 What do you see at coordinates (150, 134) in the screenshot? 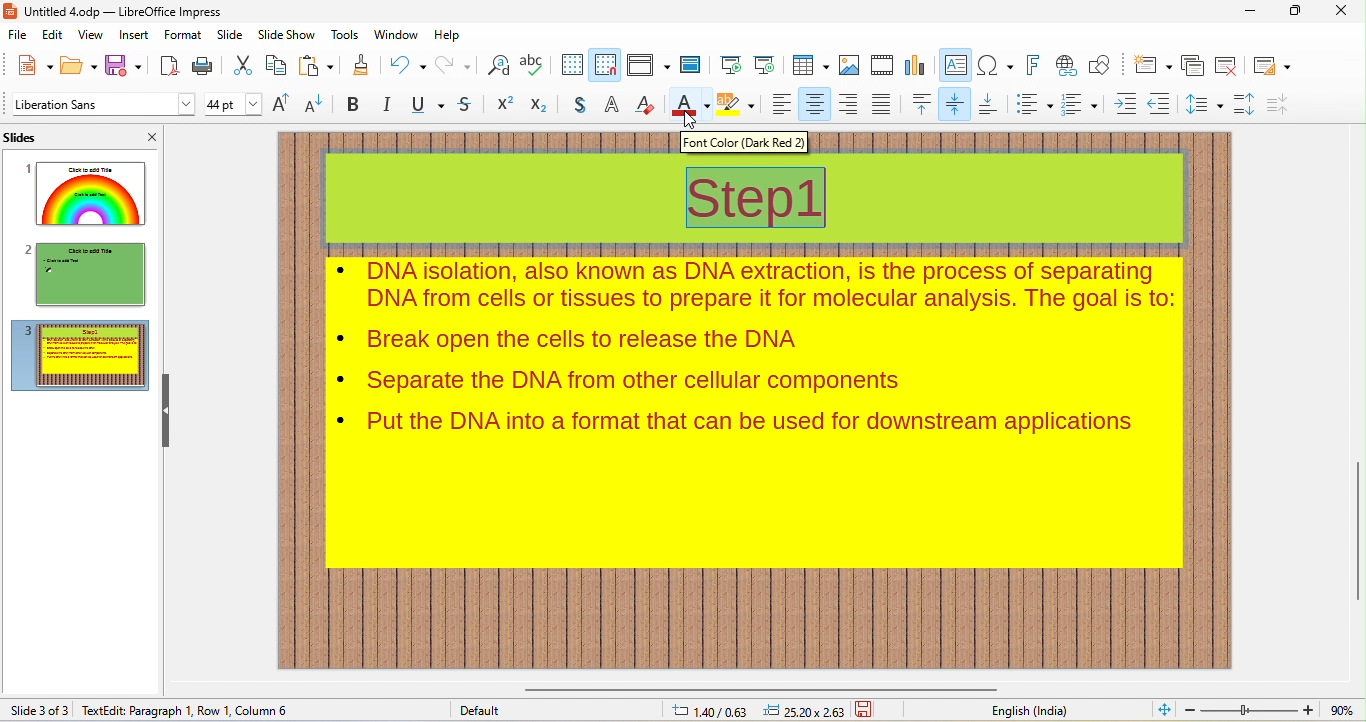
I see `close` at bounding box center [150, 134].